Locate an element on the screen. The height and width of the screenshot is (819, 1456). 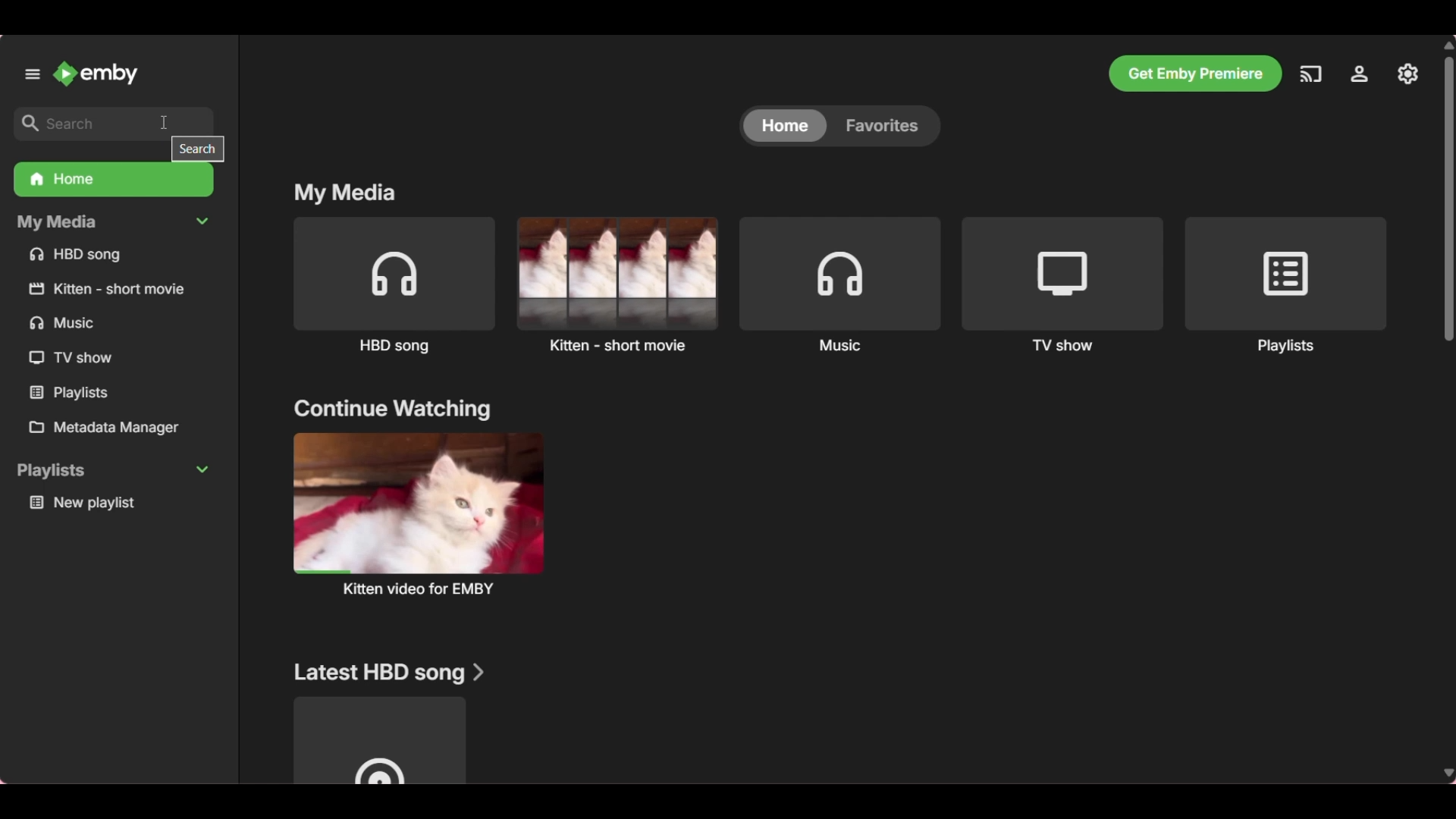
TV show is located at coordinates (72, 359).